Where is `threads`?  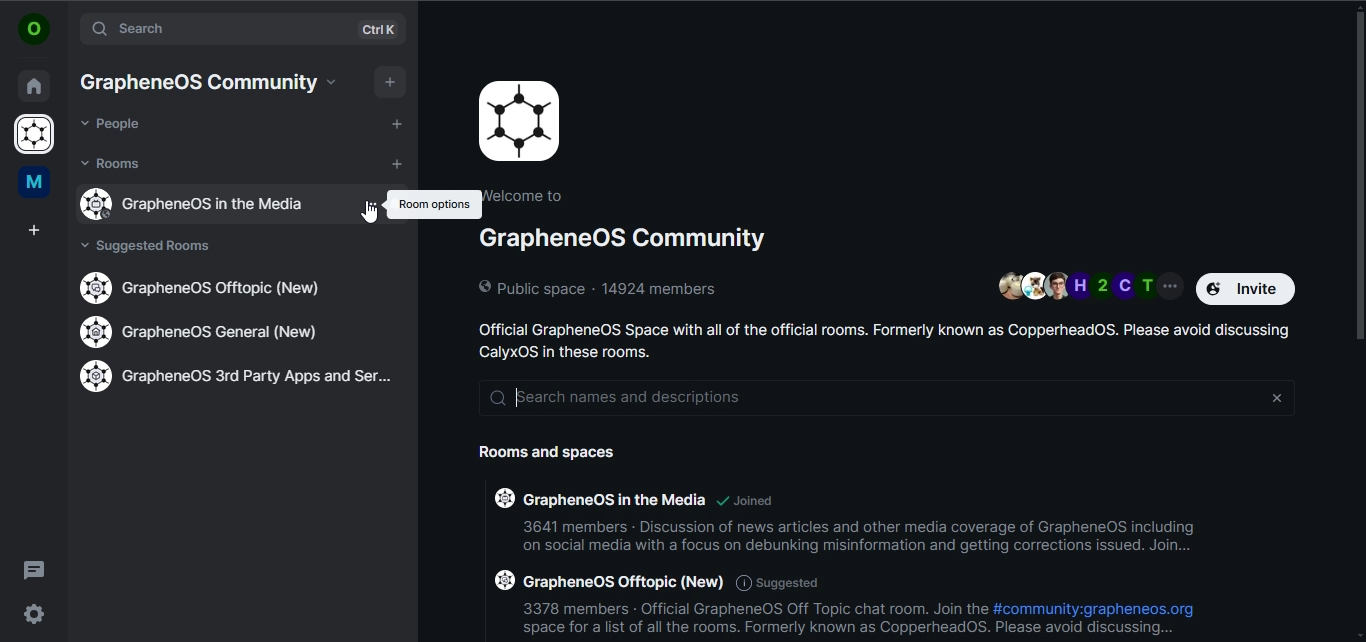 threads is located at coordinates (34, 569).